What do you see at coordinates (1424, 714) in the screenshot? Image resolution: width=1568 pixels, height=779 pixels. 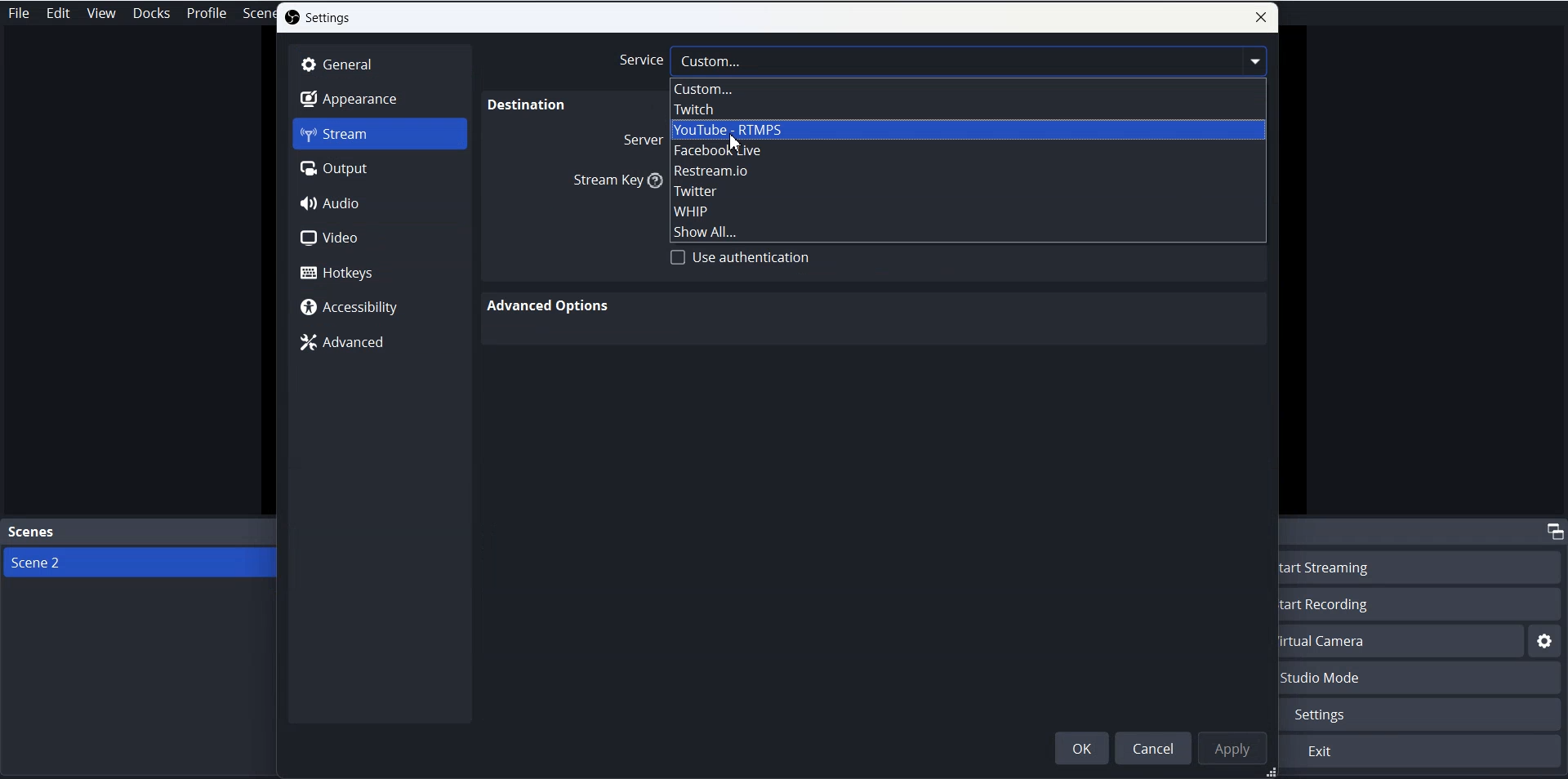 I see `Settings` at bounding box center [1424, 714].